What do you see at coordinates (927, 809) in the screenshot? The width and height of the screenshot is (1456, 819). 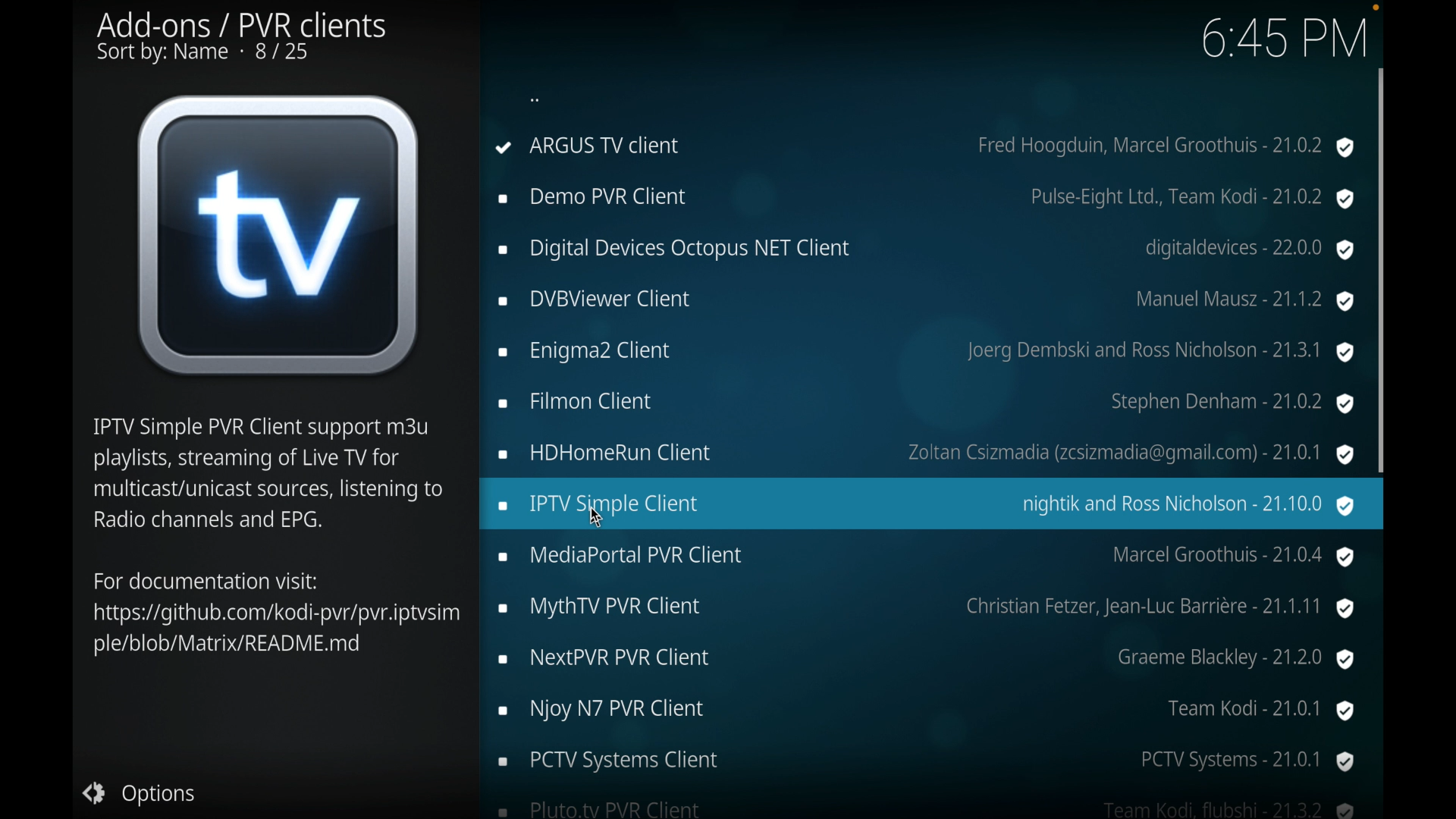 I see `pluto  client` at bounding box center [927, 809].